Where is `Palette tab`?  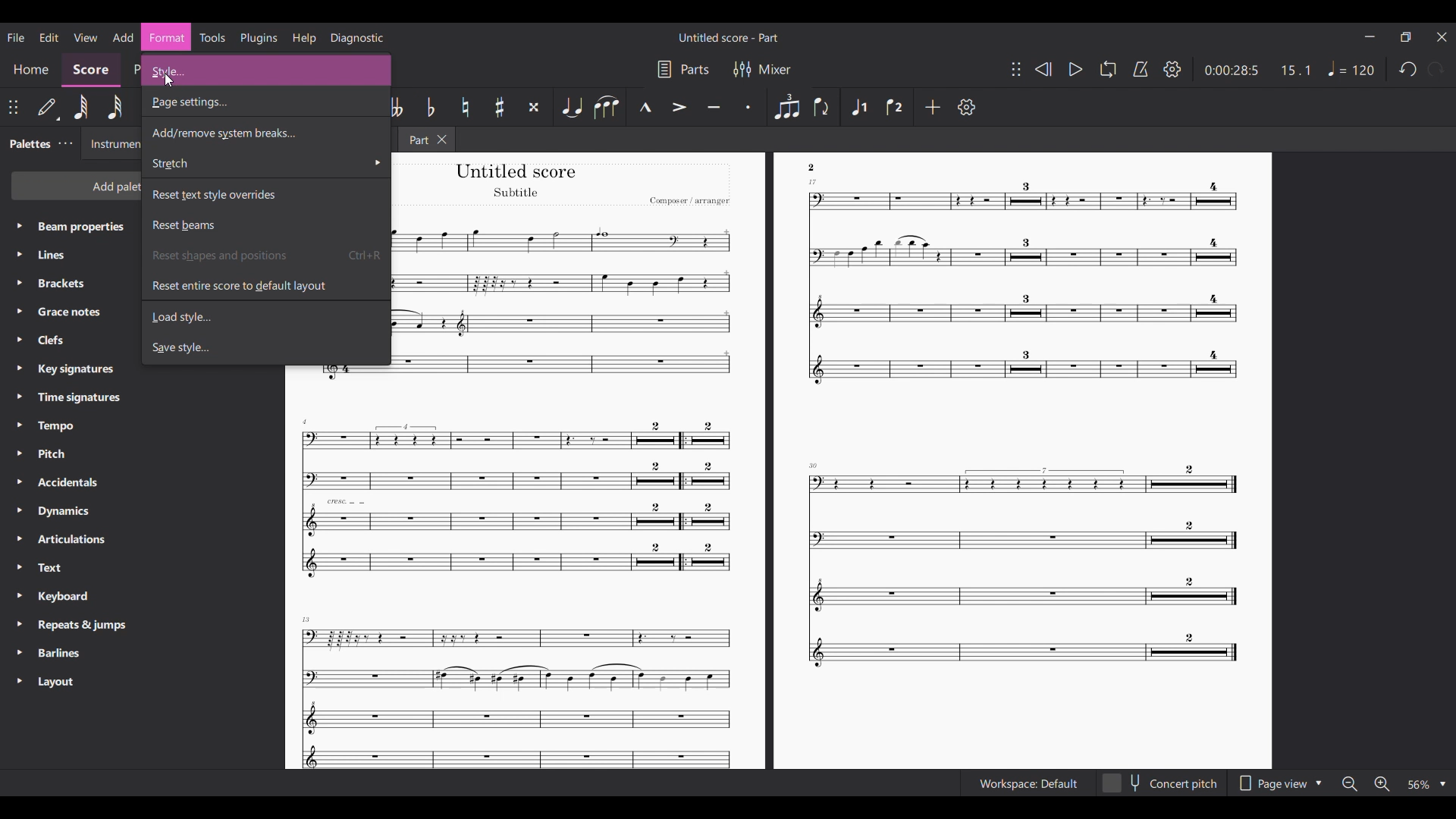
Palette tab is located at coordinates (27, 144).